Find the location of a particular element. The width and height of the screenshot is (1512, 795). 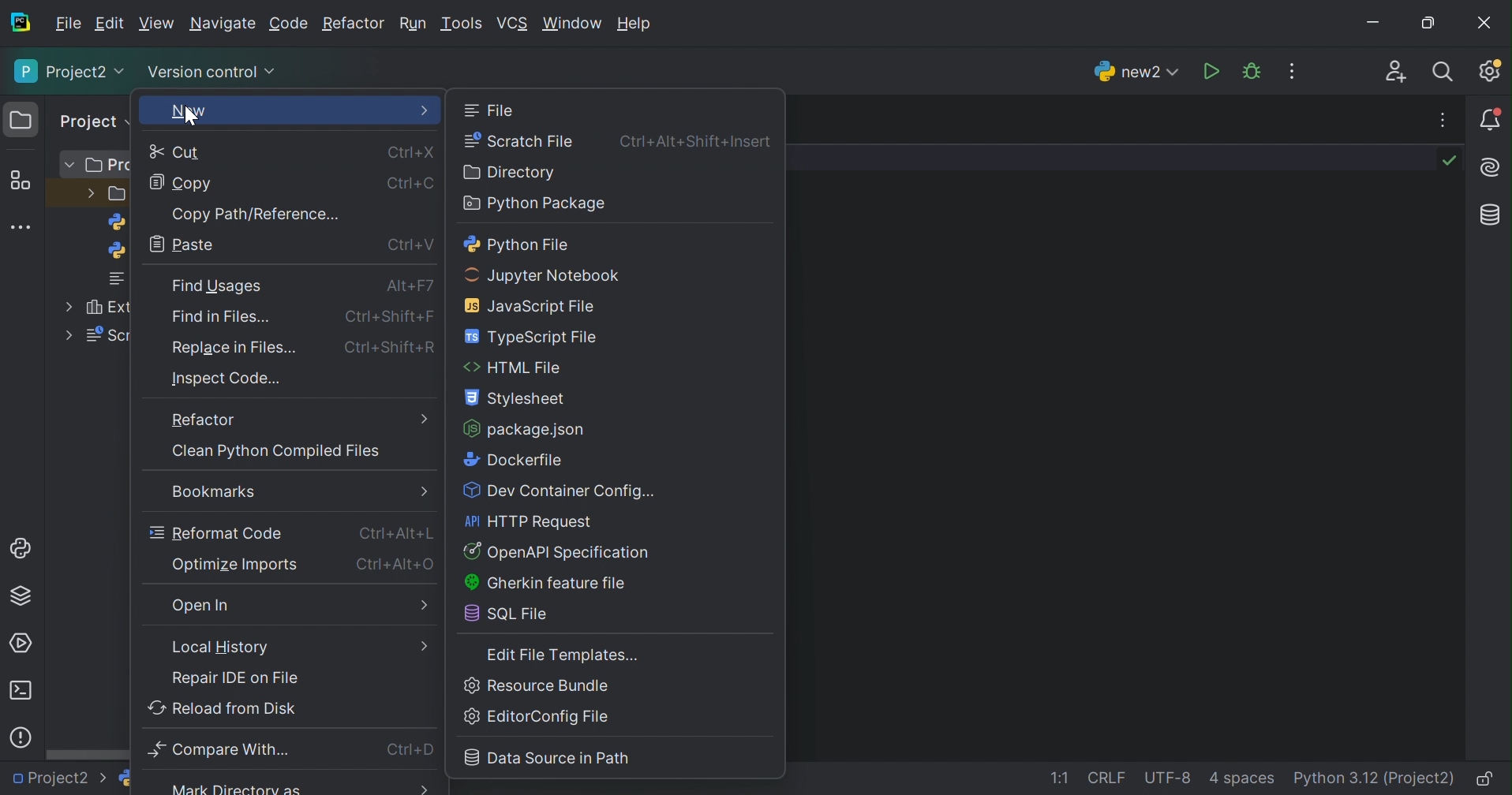

4 spaces is located at coordinates (1244, 779).